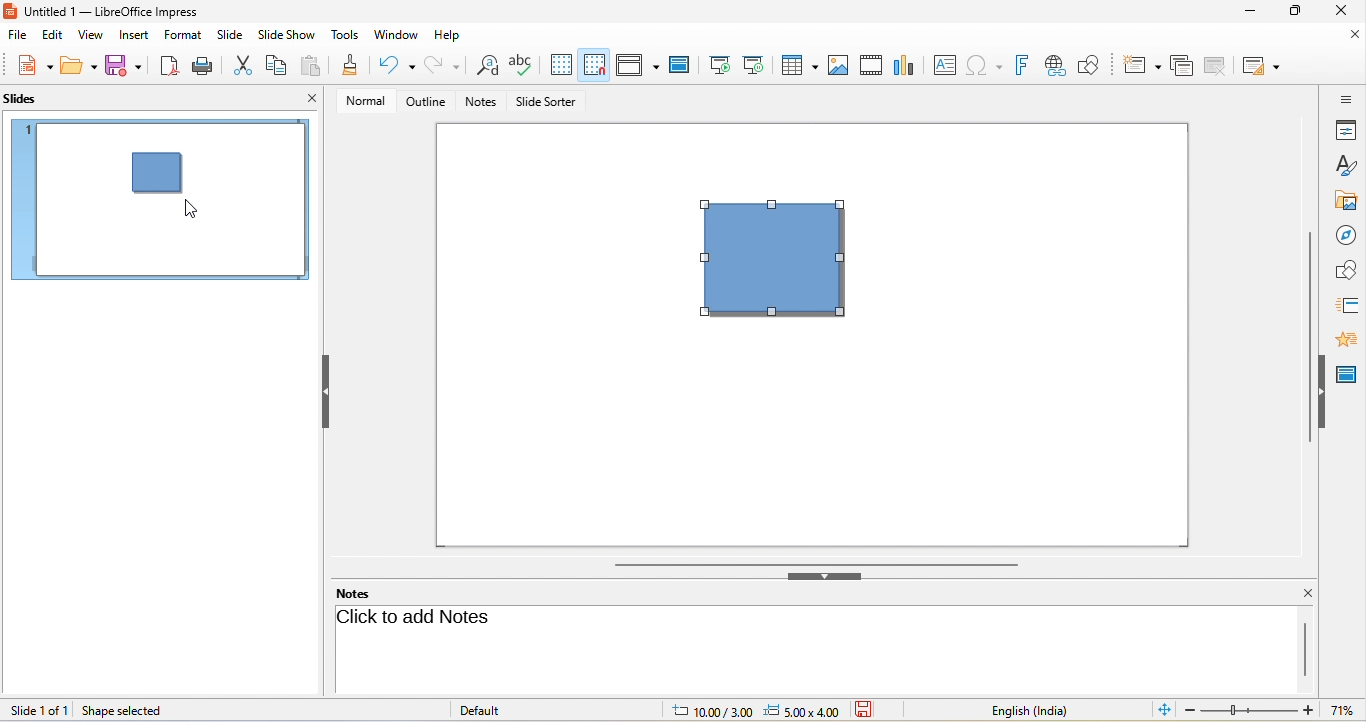 Image resolution: width=1366 pixels, height=722 pixels. What do you see at coordinates (345, 36) in the screenshot?
I see `tools` at bounding box center [345, 36].